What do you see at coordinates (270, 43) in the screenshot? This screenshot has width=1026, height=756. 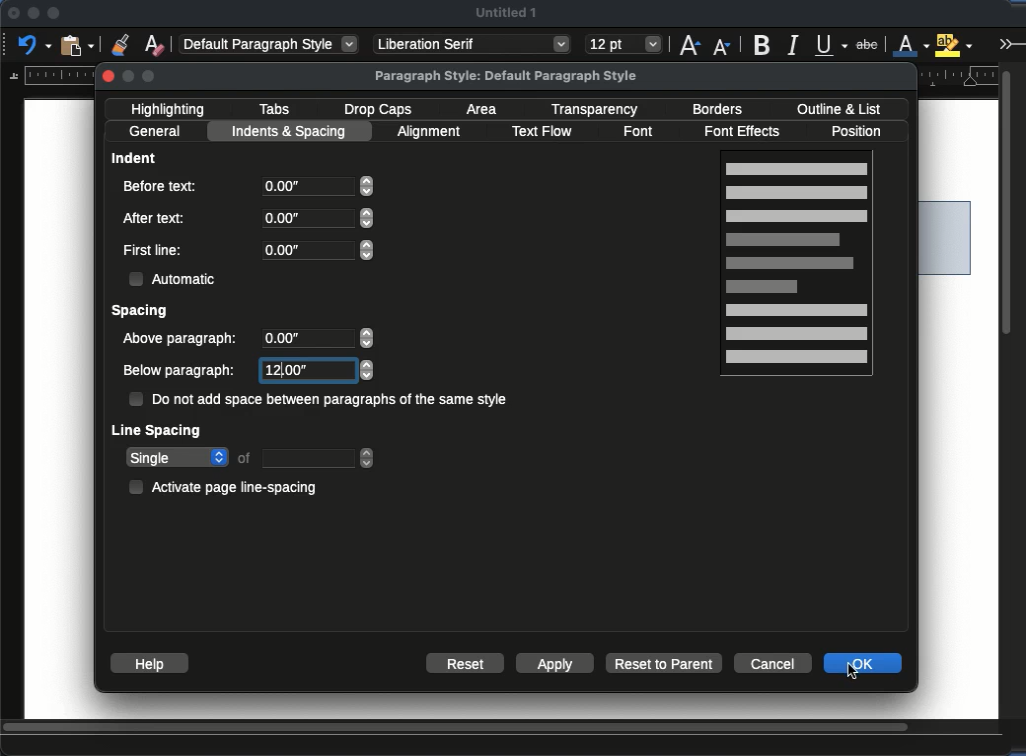 I see `default paragraph style` at bounding box center [270, 43].